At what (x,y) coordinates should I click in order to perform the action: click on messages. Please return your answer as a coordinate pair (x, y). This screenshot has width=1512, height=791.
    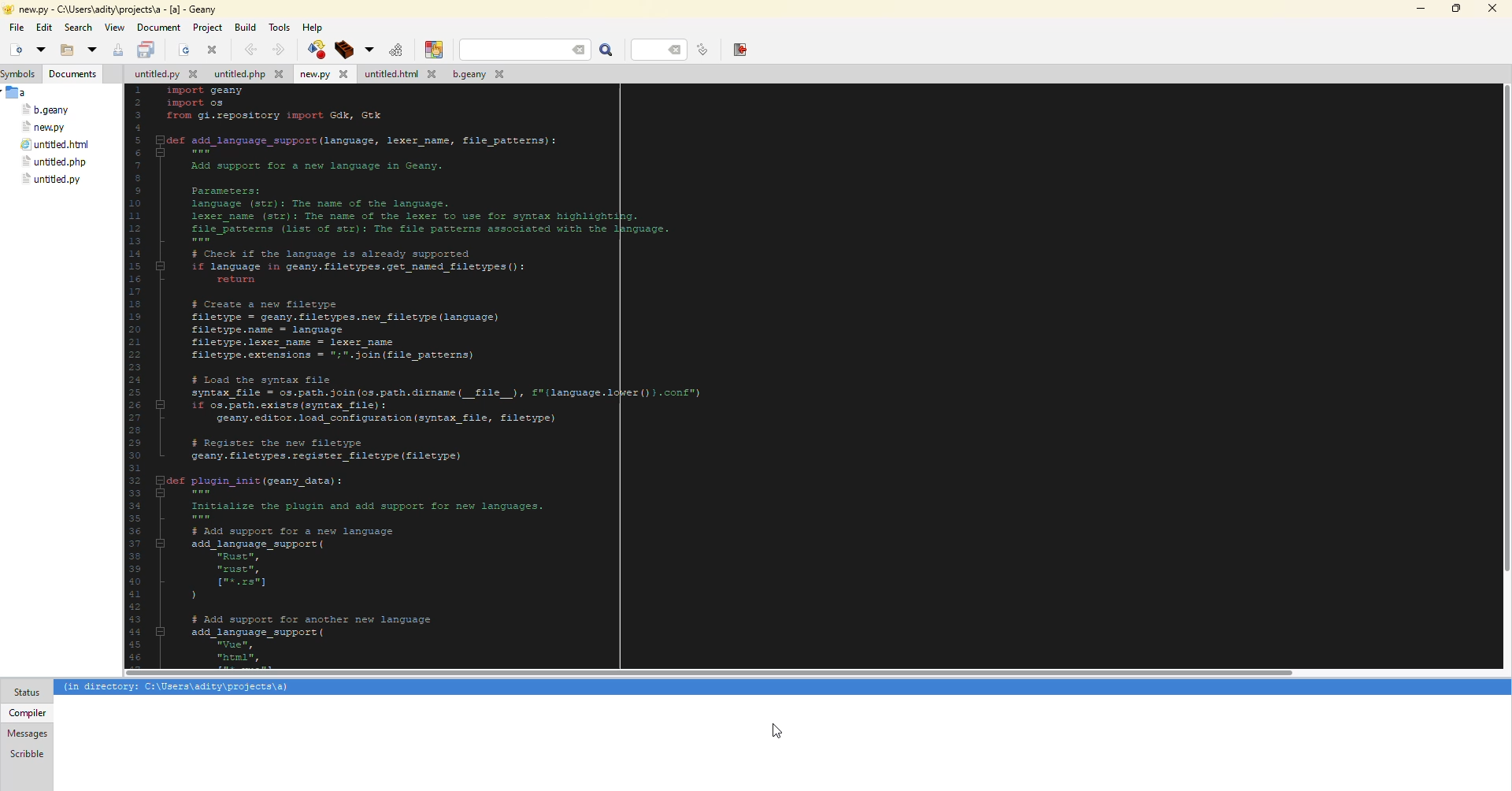
    Looking at the image, I should click on (27, 733).